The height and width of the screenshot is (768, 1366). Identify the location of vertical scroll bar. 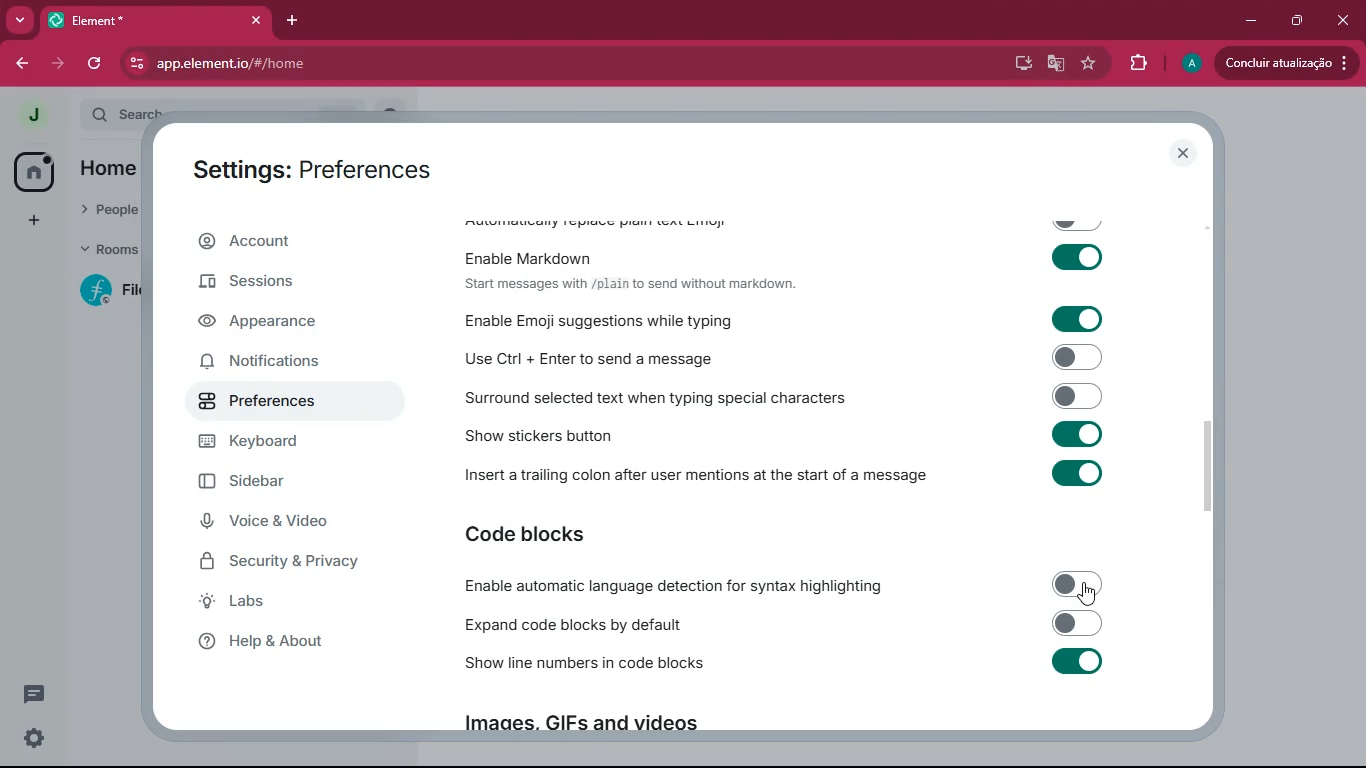
(1211, 467).